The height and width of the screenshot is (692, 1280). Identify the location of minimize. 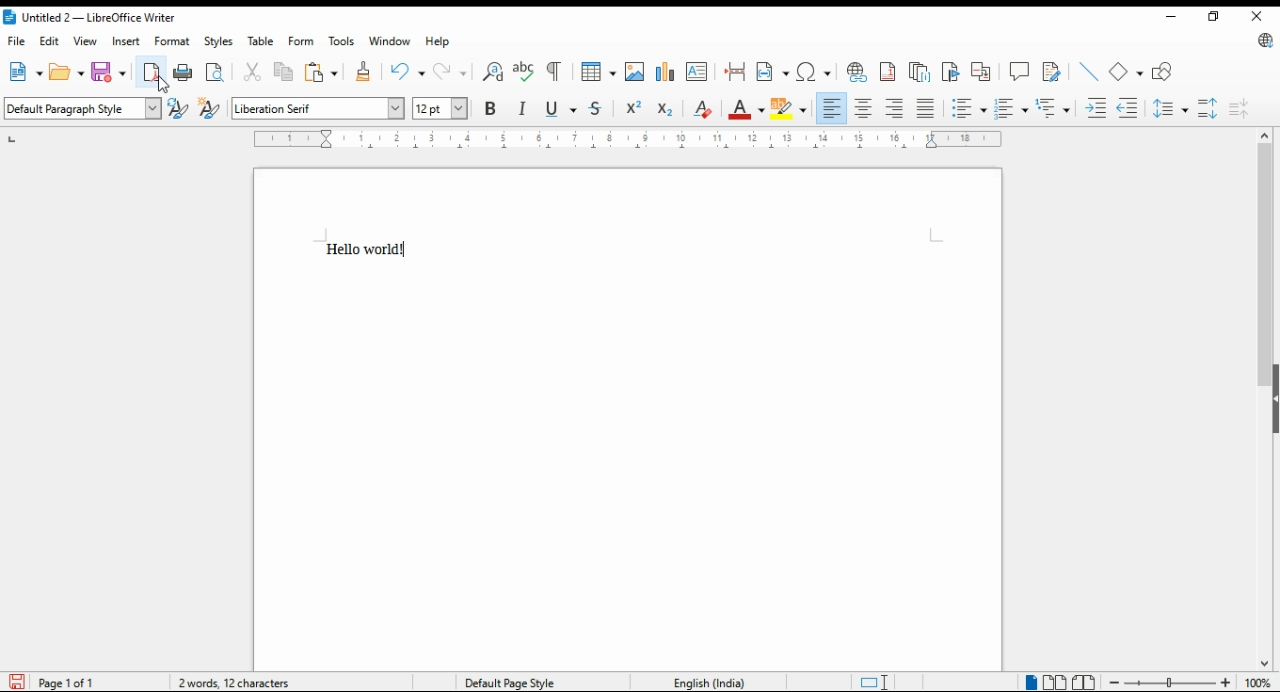
(1173, 16).